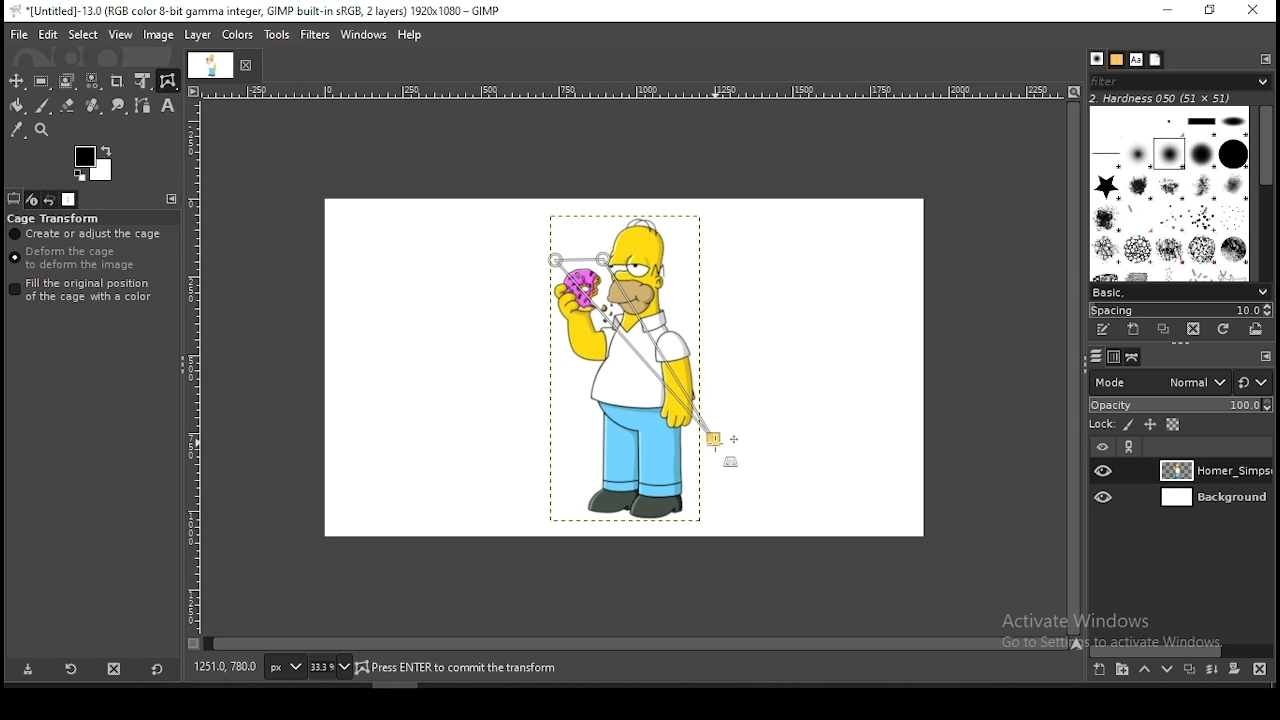  What do you see at coordinates (316, 35) in the screenshot?
I see `filters` at bounding box center [316, 35].